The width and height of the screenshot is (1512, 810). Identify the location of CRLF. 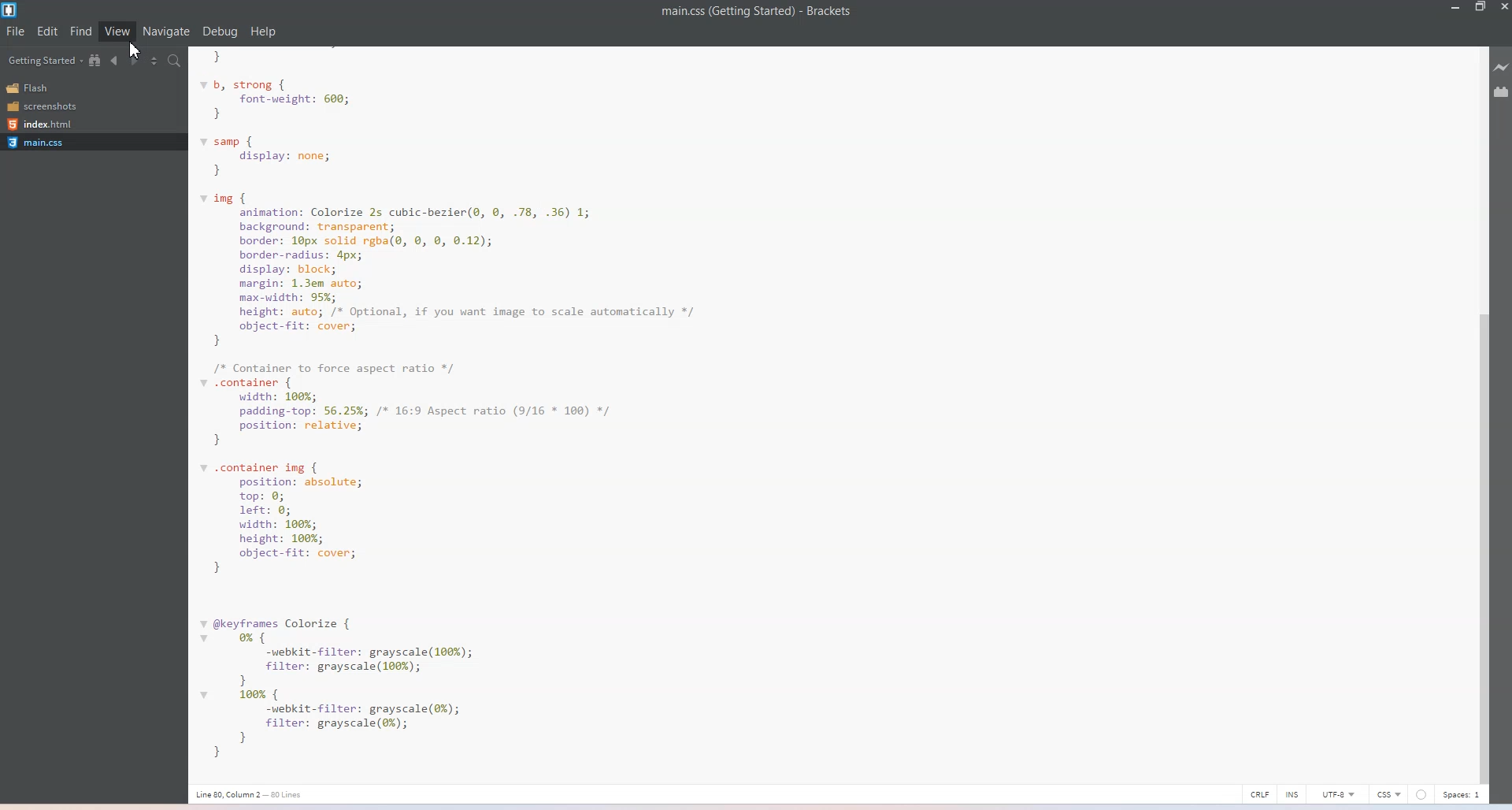
(1260, 793).